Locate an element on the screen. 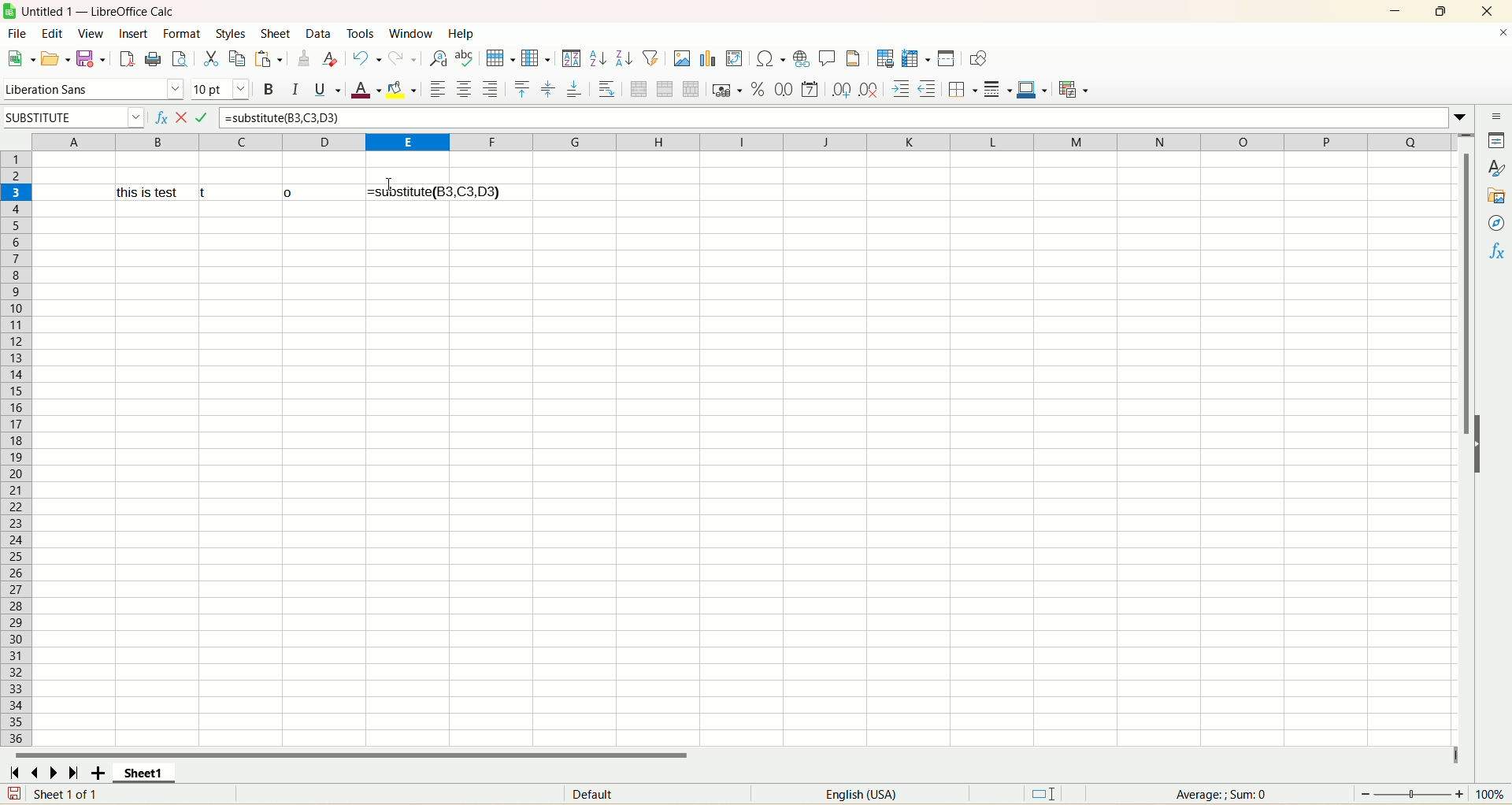 This screenshot has width=1512, height=805. remove formatting is located at coordinates (330, 57).